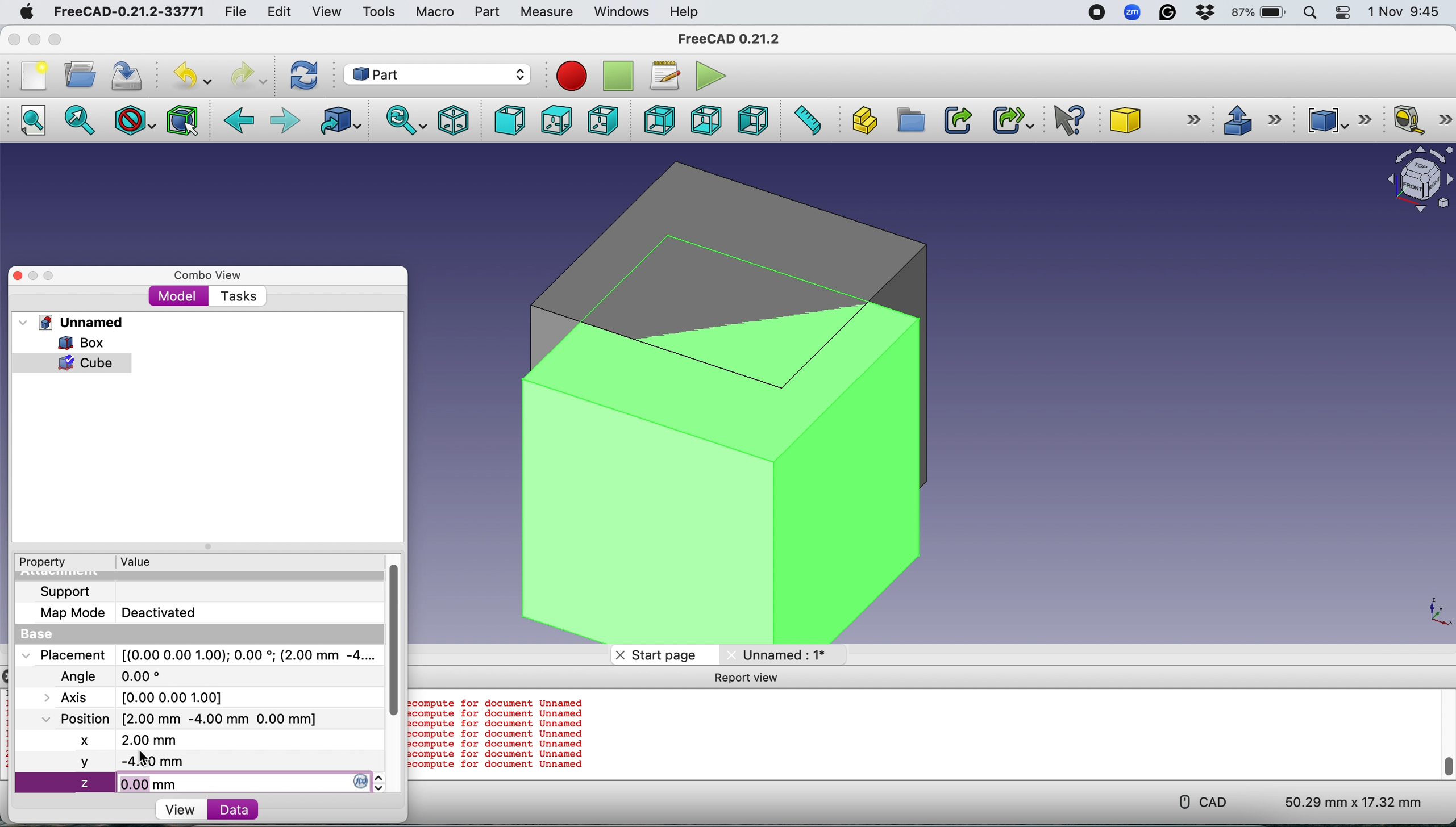 The image size is (1456, 827). What do you see at coordinates (34, 39) in the screenshot?
I see `minimise` at bounding box center [34, 39].